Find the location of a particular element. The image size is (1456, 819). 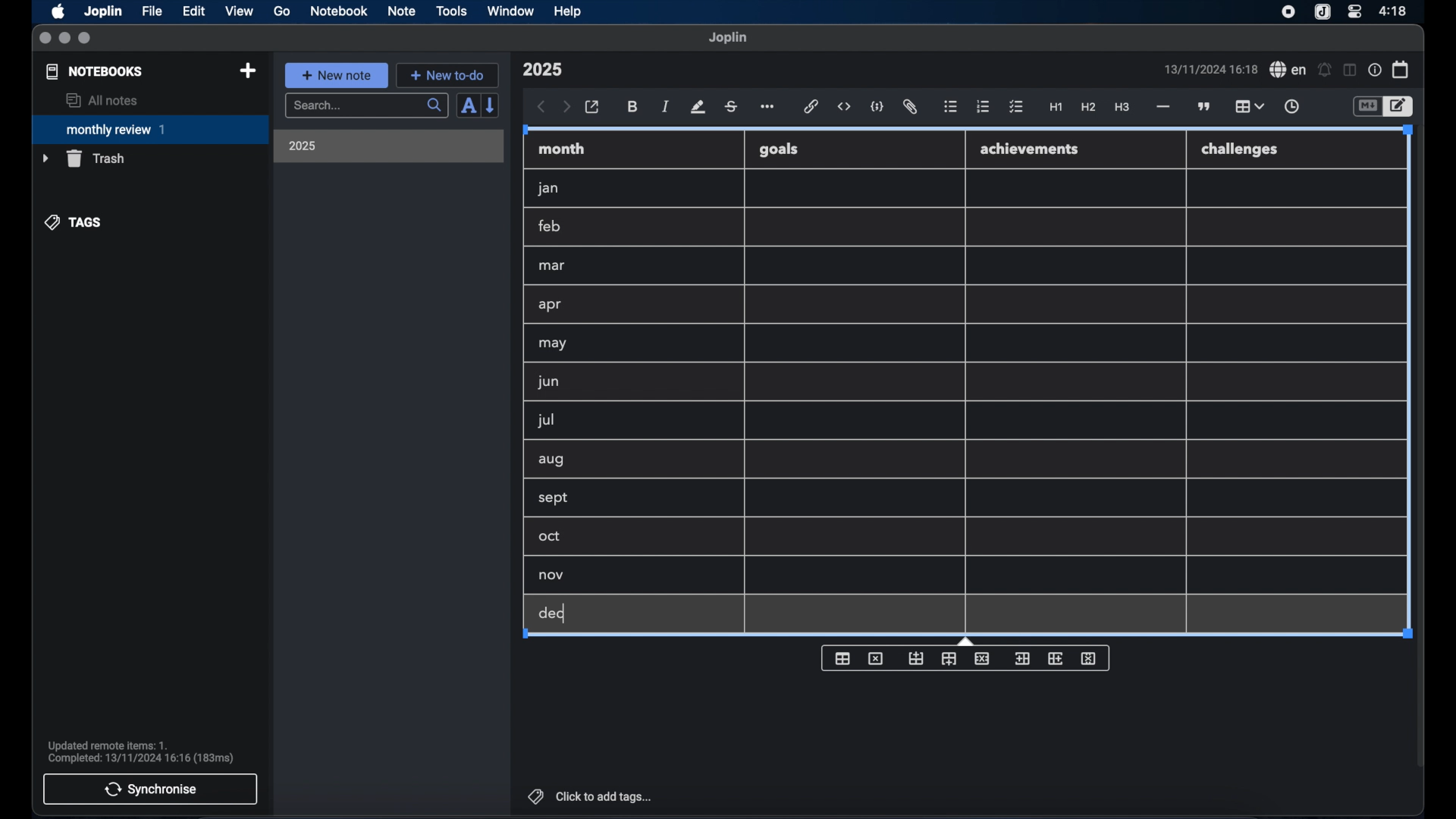

insert table is located at coordinates (843, 657).